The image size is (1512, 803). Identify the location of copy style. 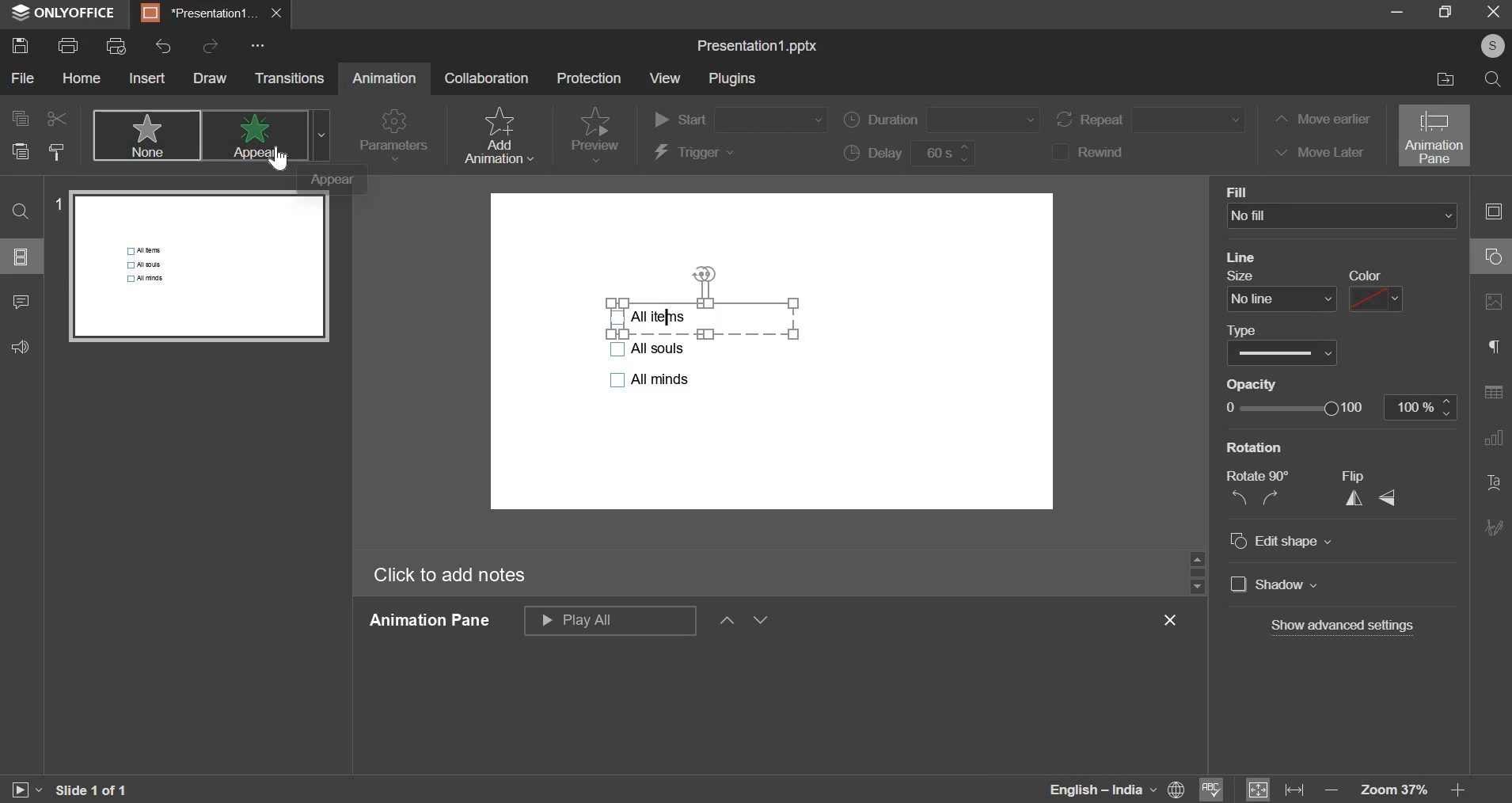
(59, 151).